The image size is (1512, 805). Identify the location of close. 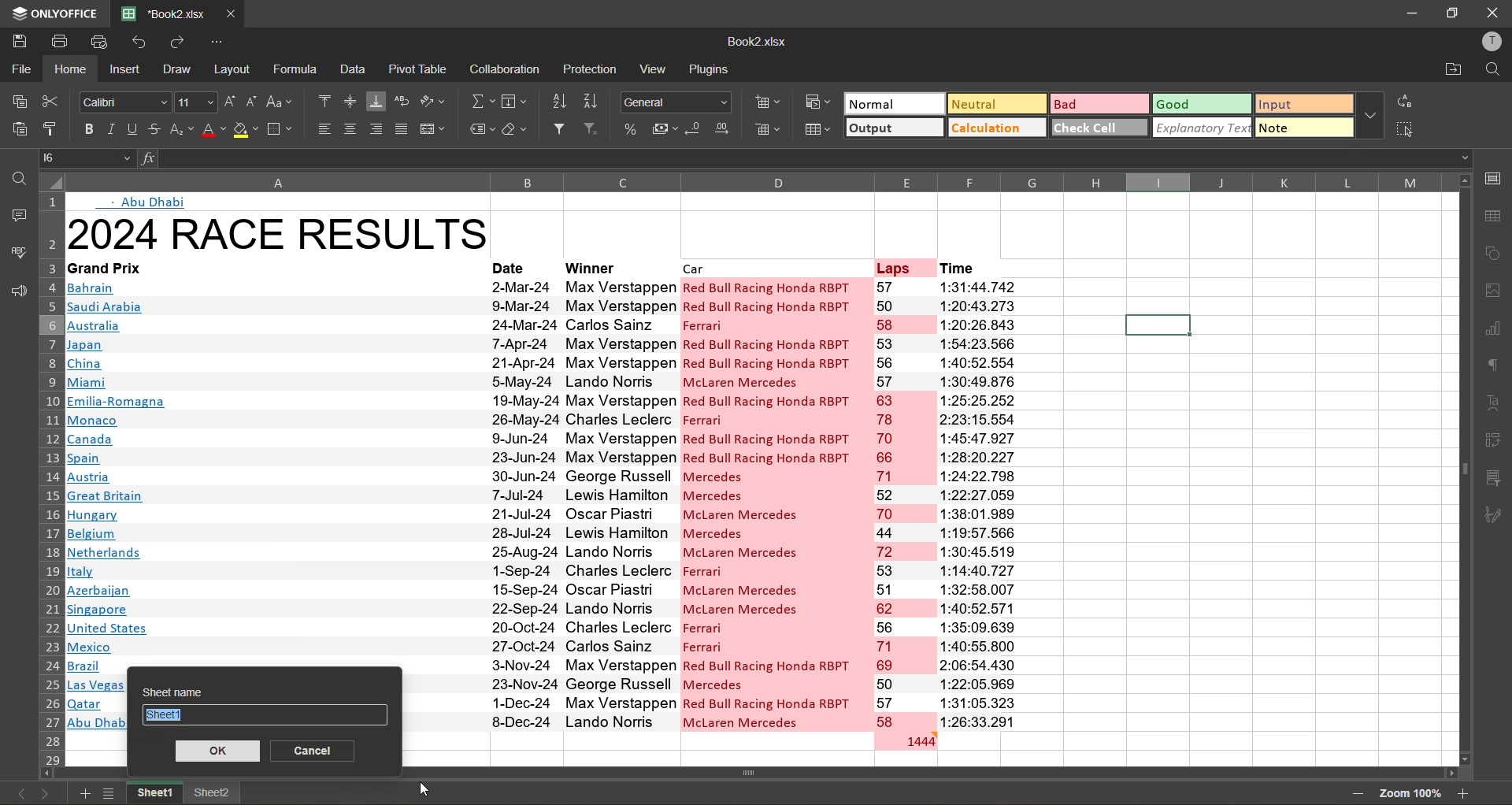
(1493, 14).